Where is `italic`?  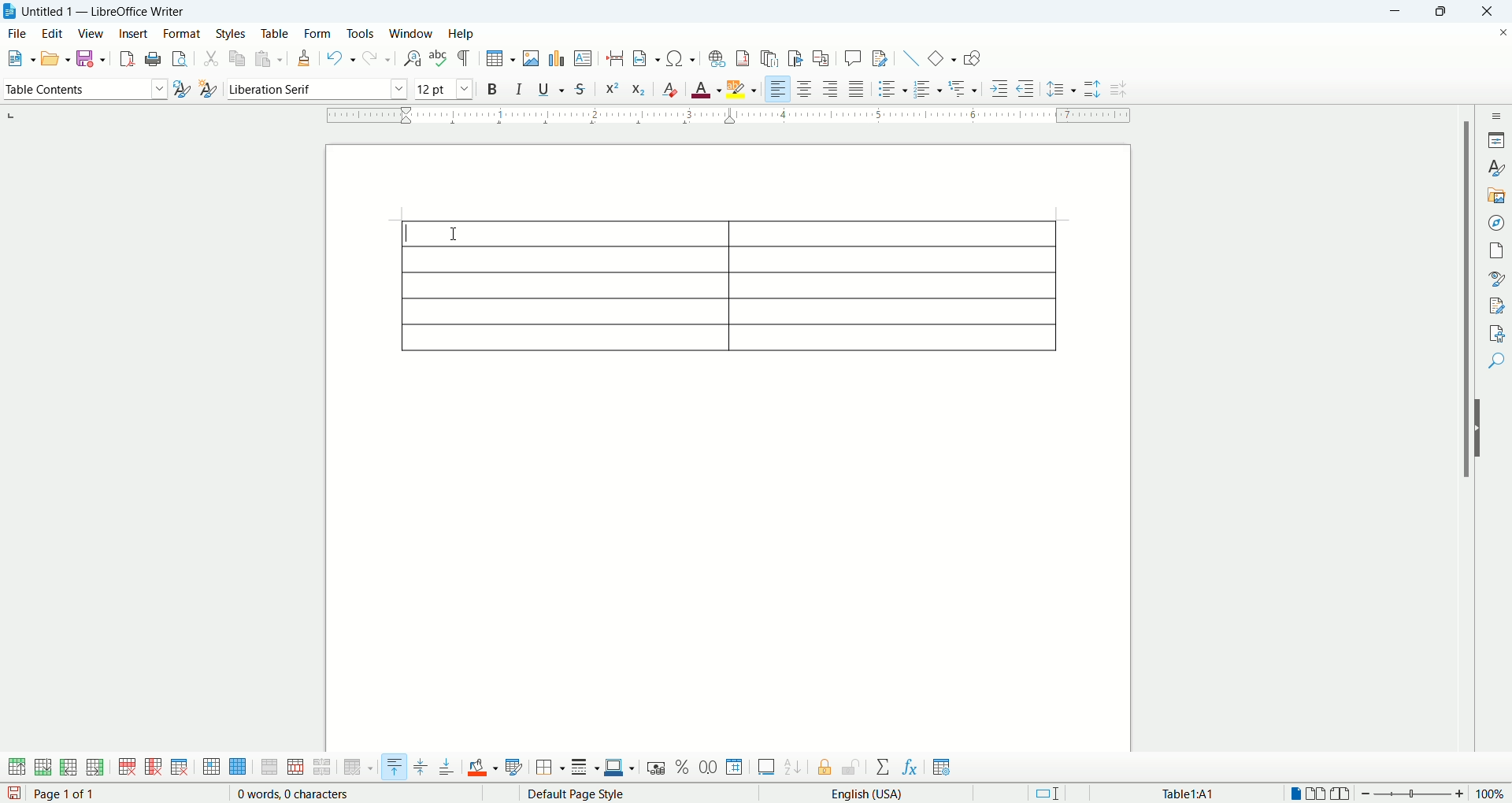
italic is located at coordinates (522, 87).